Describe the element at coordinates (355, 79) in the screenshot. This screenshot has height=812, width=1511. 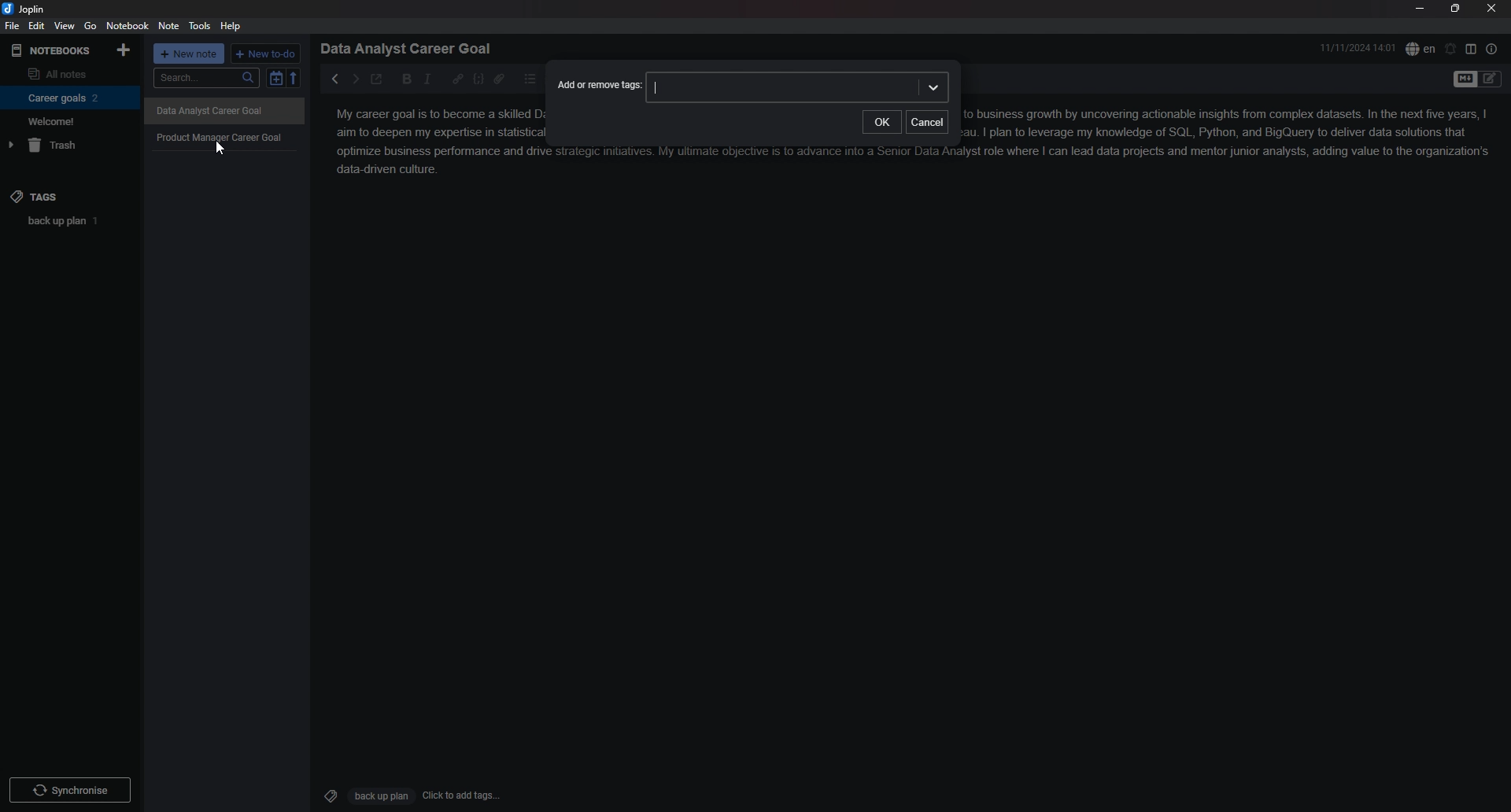
I see `next` at that location.